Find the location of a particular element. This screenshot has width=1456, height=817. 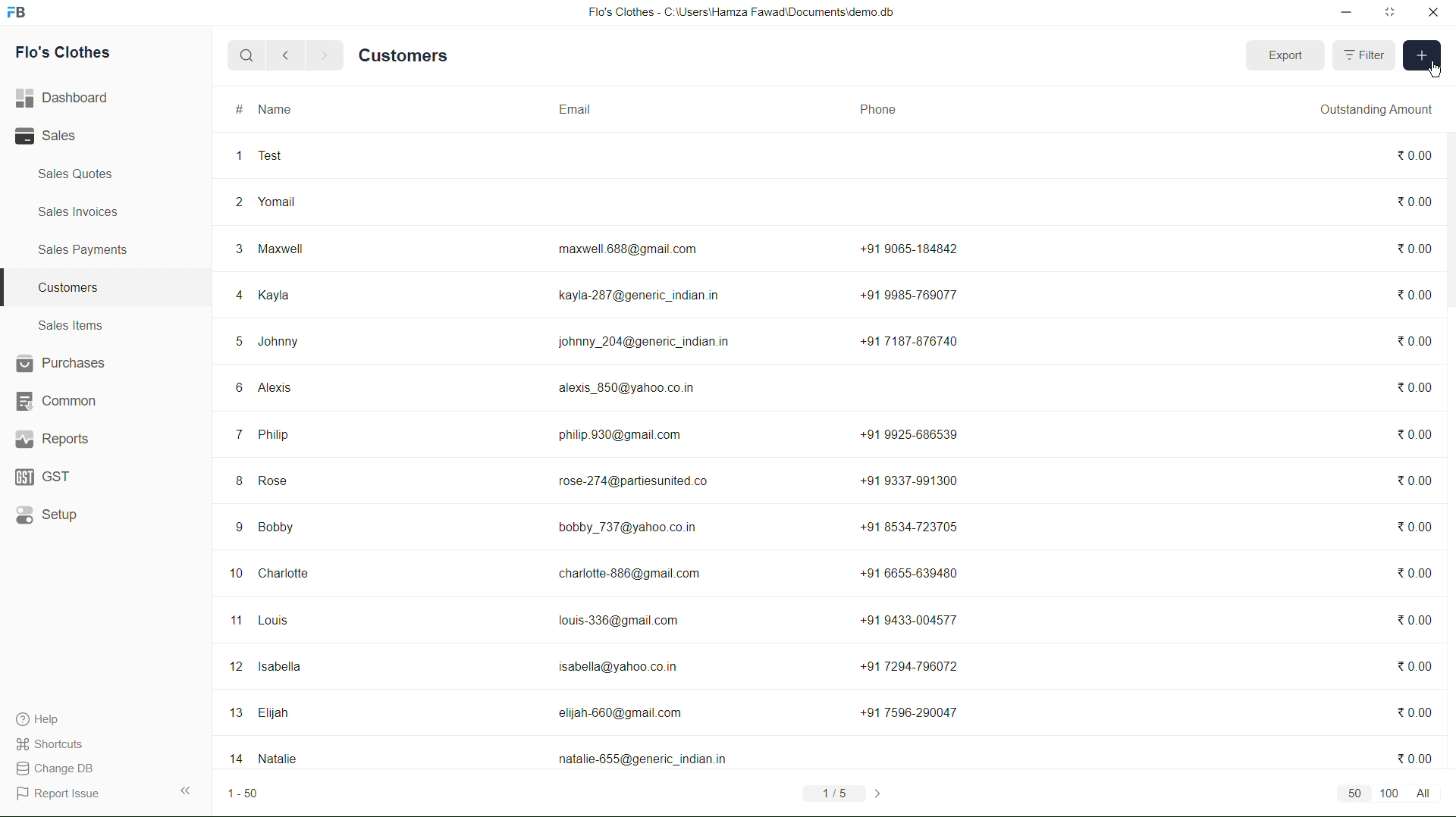

1 is located at coordinates (240, 154).